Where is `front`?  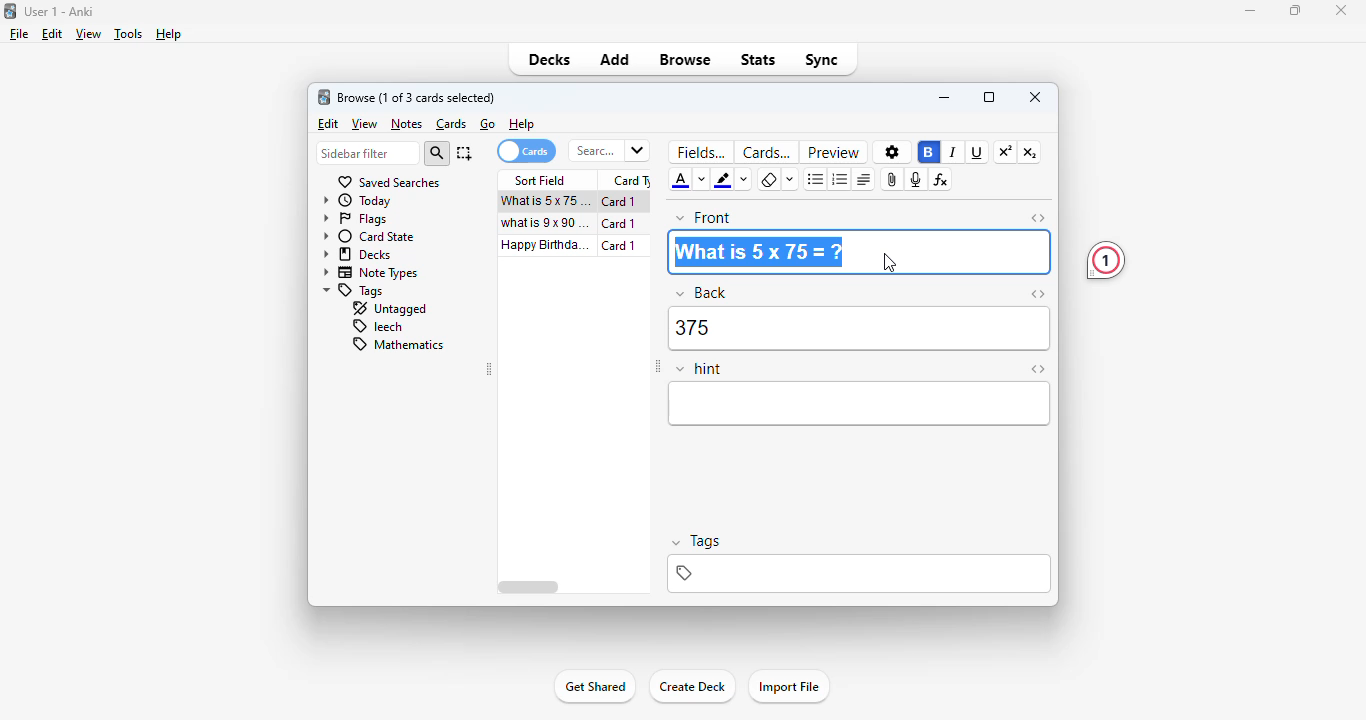
front is located at coordinates (703, 218).